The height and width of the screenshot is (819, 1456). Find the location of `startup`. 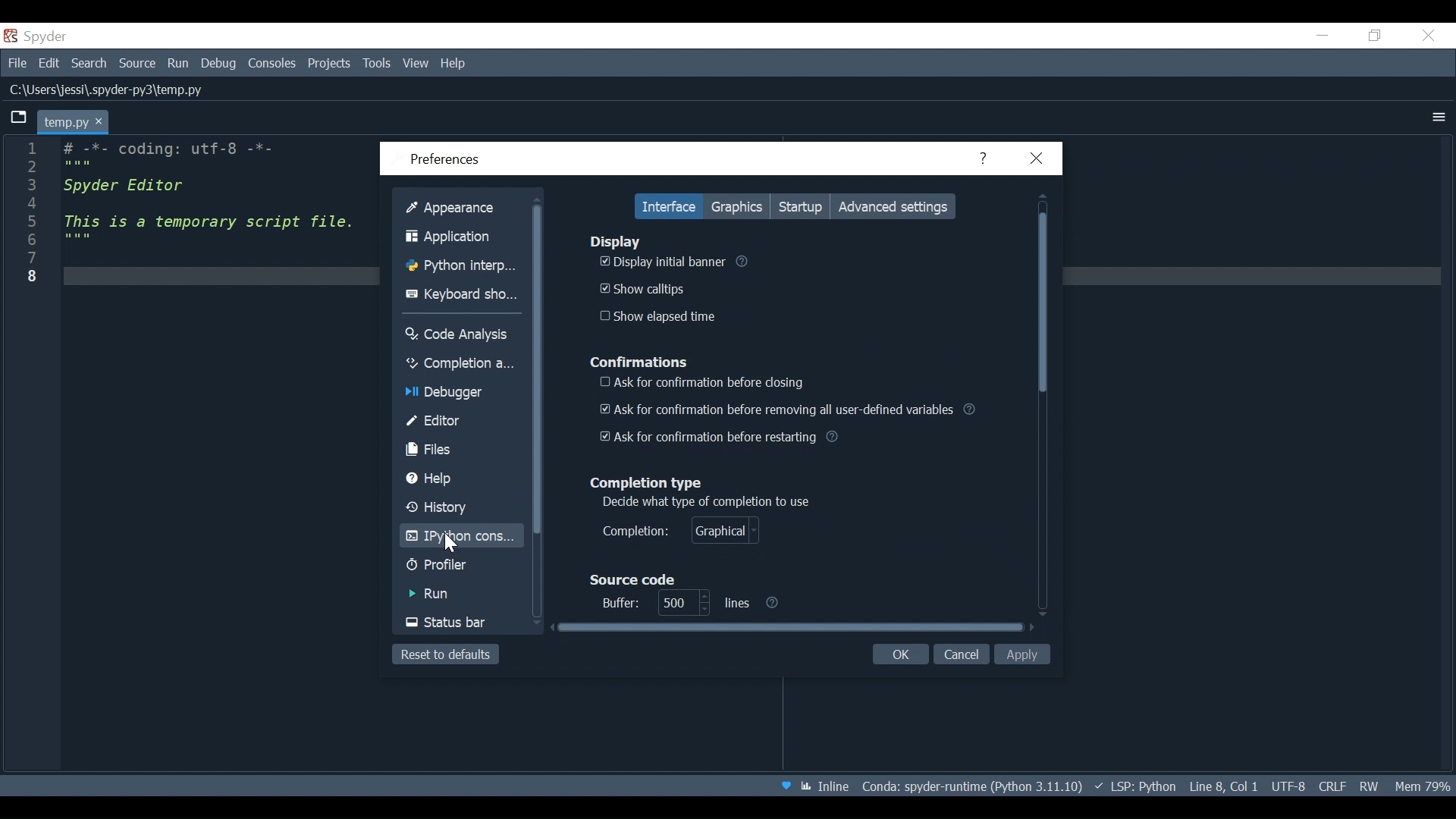

startup is located at coordinates (802, 205).